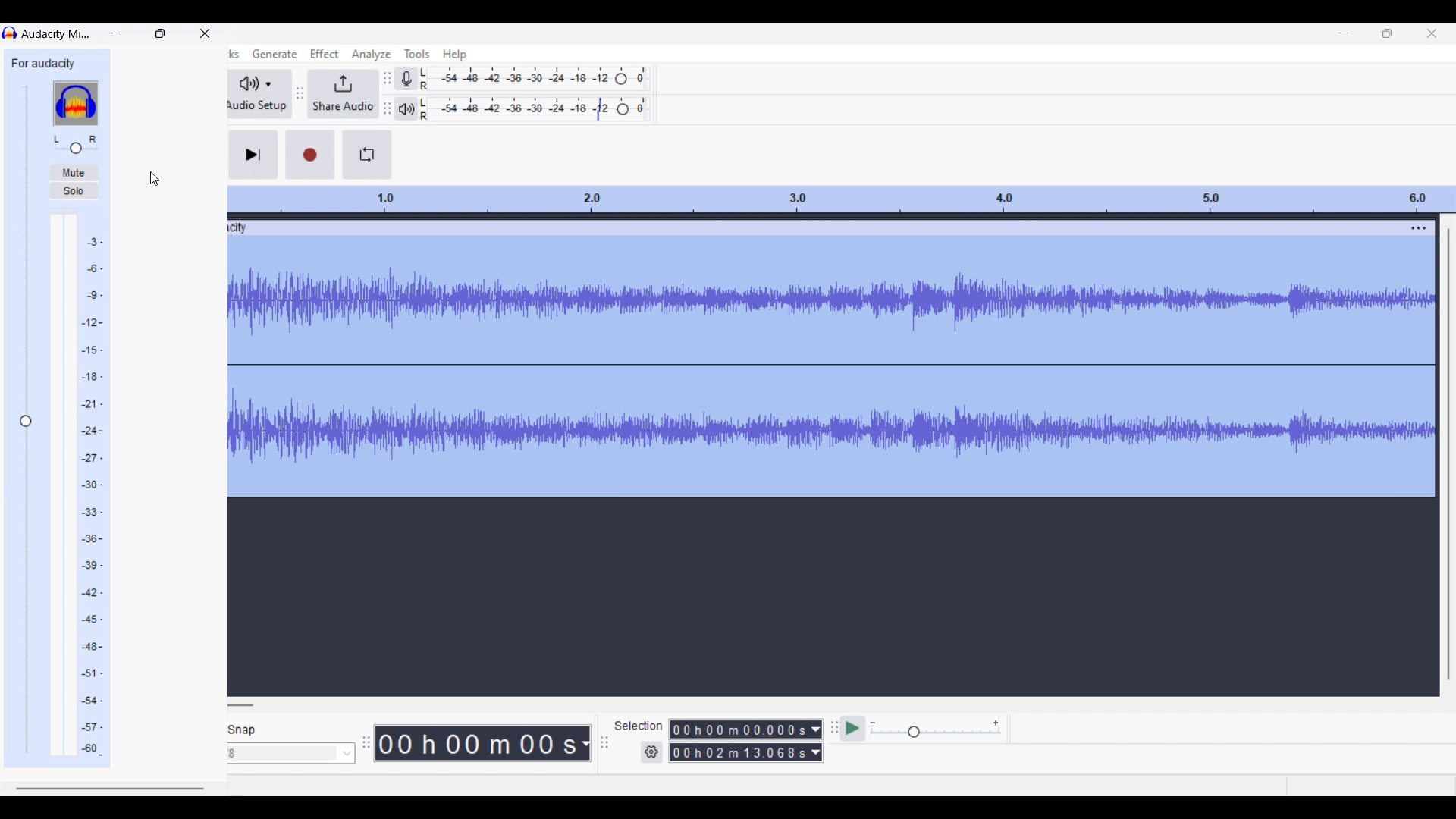 The width and height of the screenshot is (1456, 819). I want to click on Window title, so click(56, 35).